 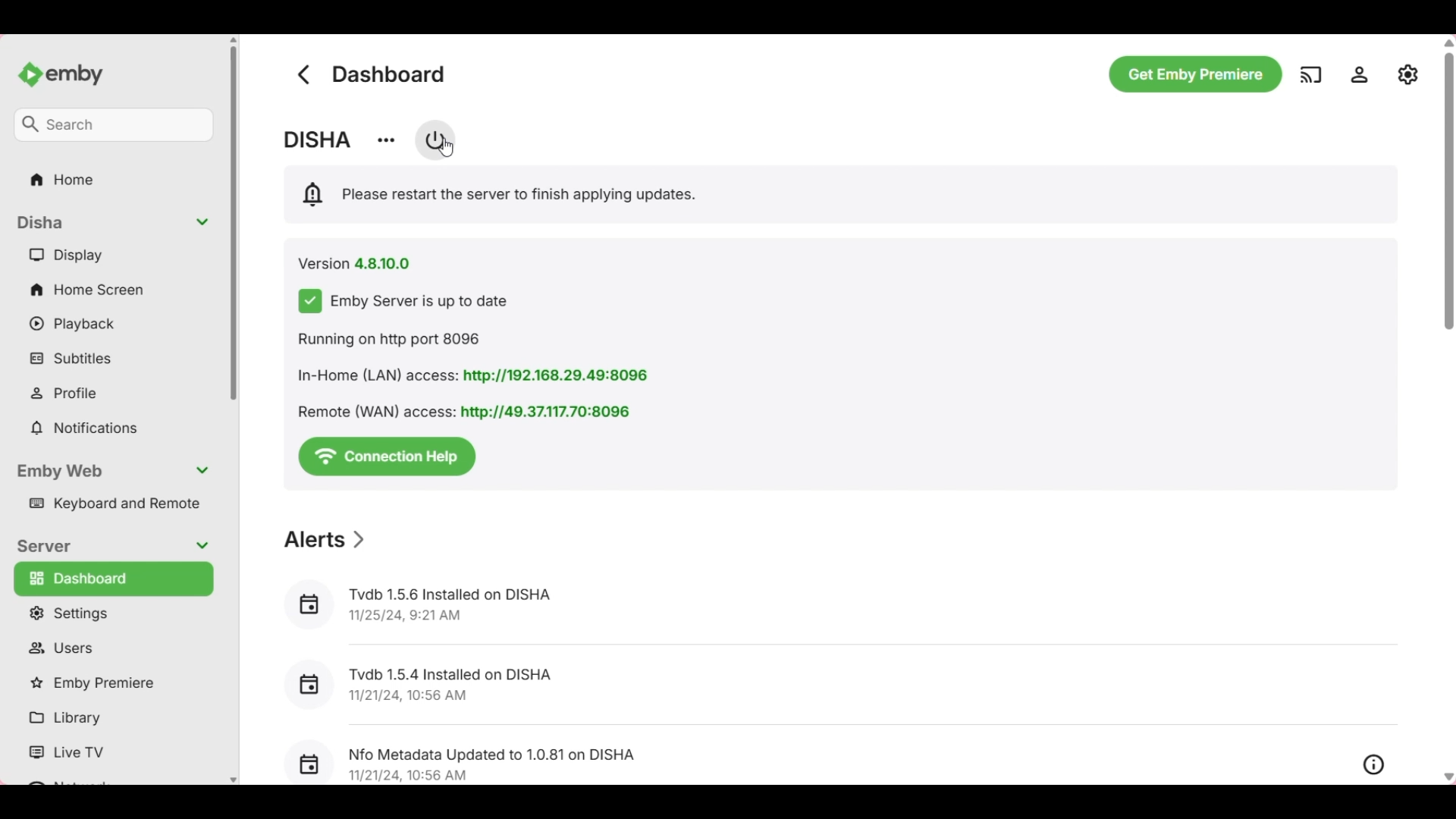 What do you see at coordinates (355, 264) in the screenshot?
I see `Software version` at bounding box center [355, 264].